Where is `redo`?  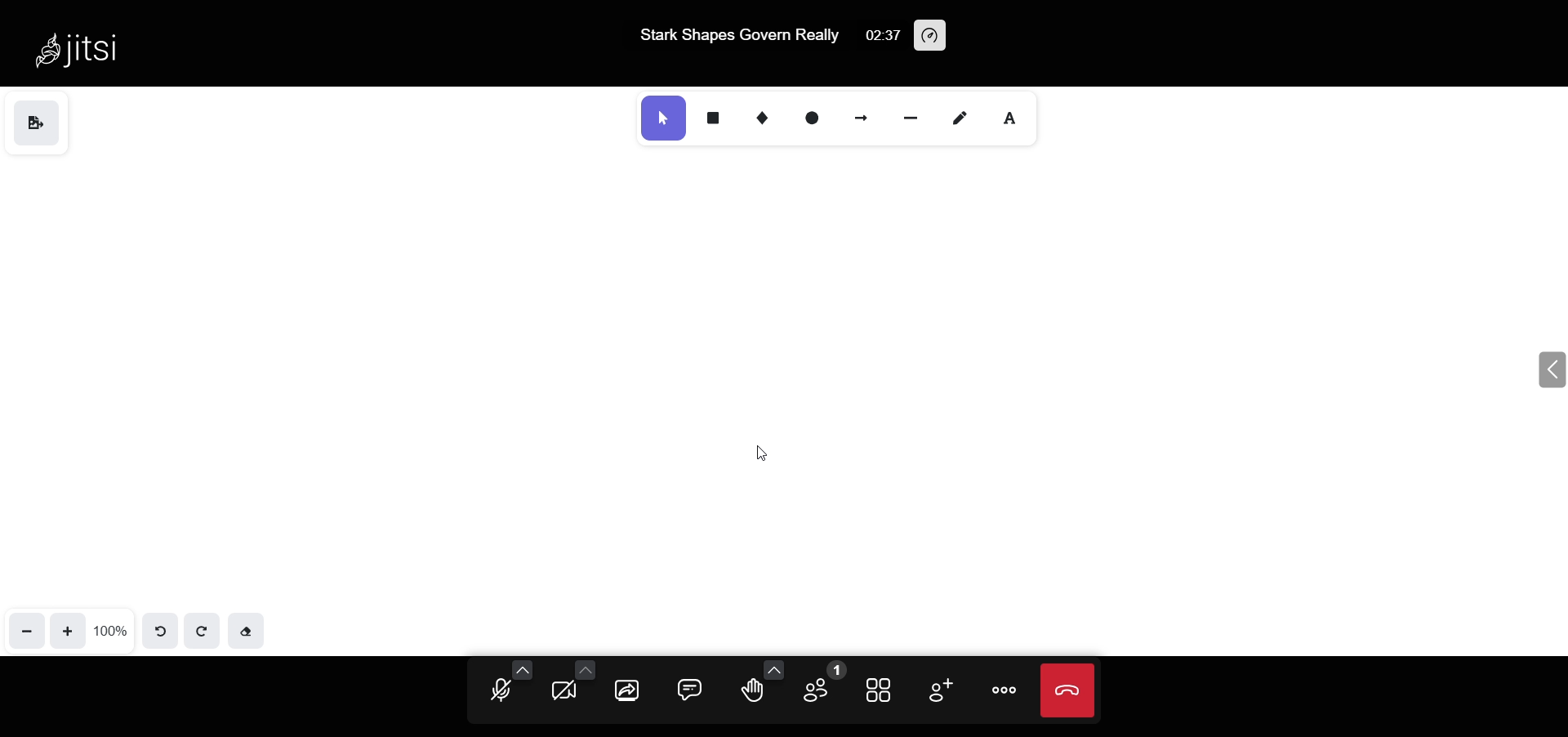 redo is located at coordinates (202, 629).